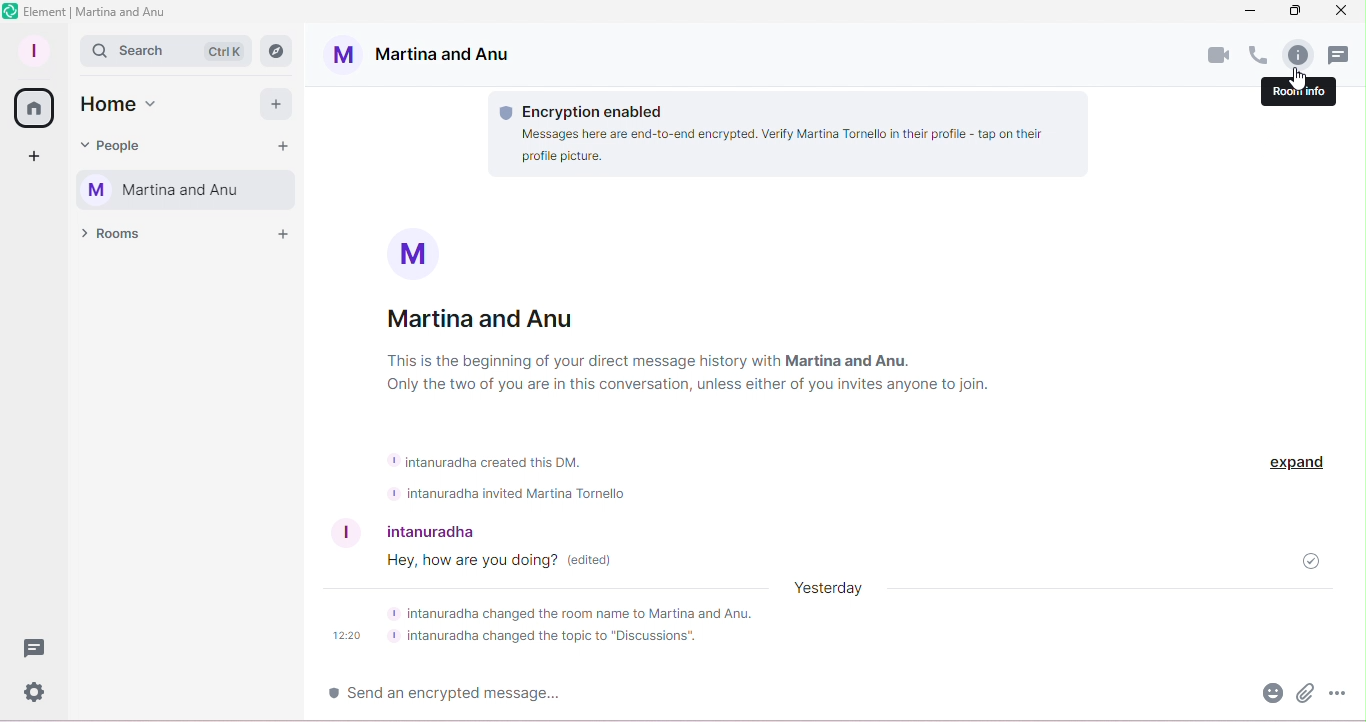  I want to click on Add a room, so click(283, 233).